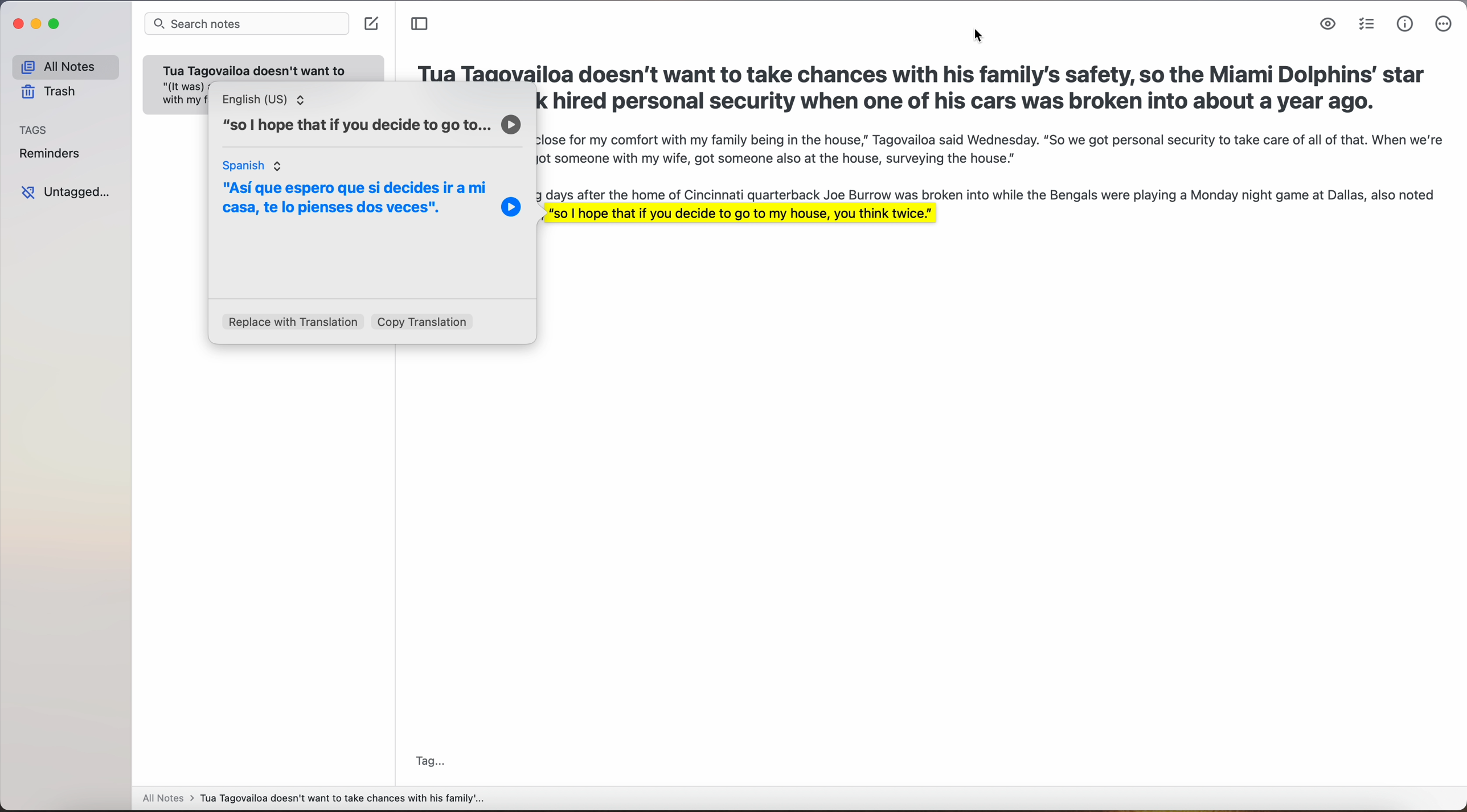  I want to click on , "so | hope that if you decide to go to my house, you think twice." , so click(742, 214).